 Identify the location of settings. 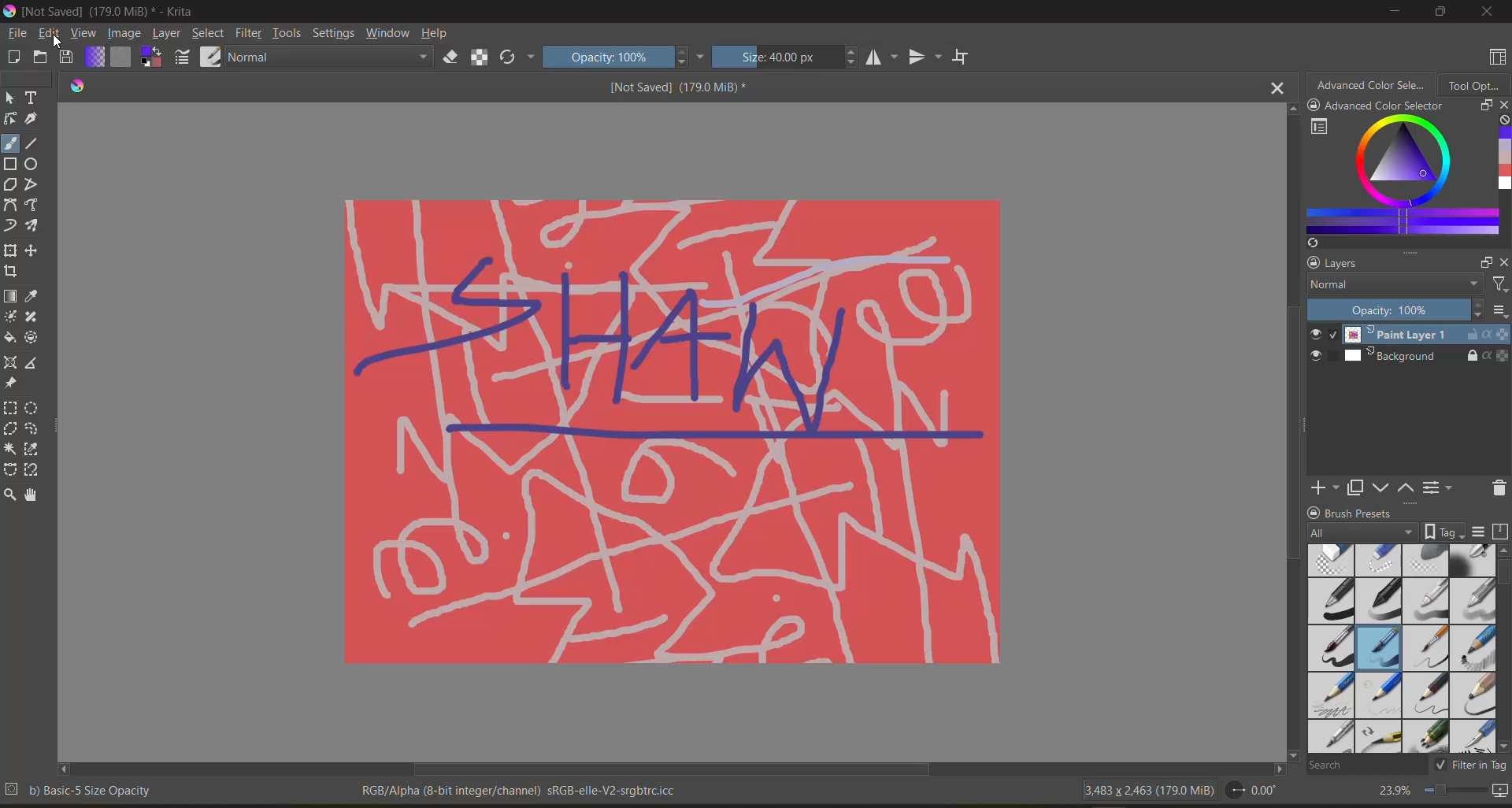
(333, 32).